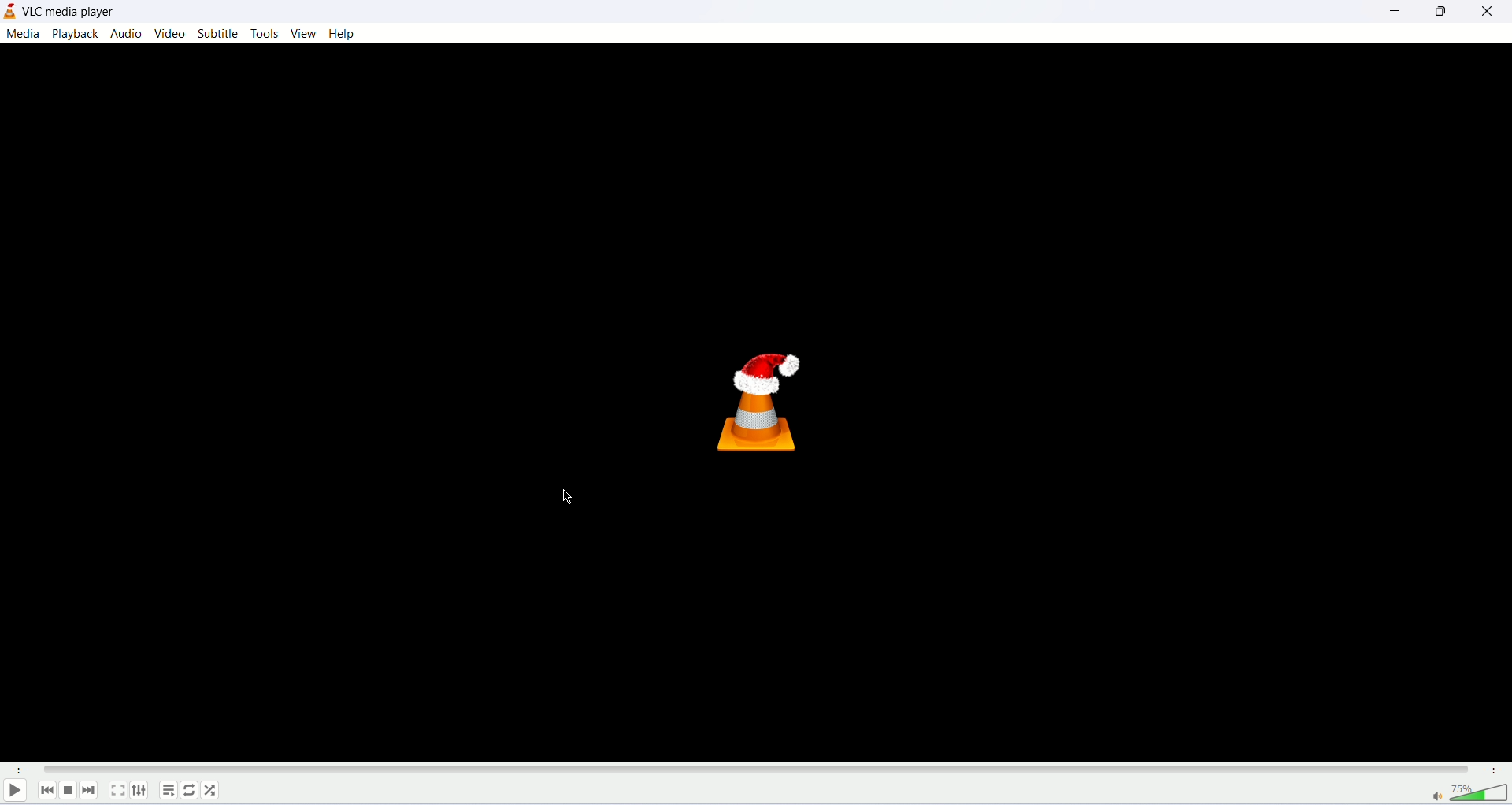 The image size is (1512, 805). What do you see at coordinates (1488, 10) in the screenshot?
I see `close` at bounding box center [1488, 10].